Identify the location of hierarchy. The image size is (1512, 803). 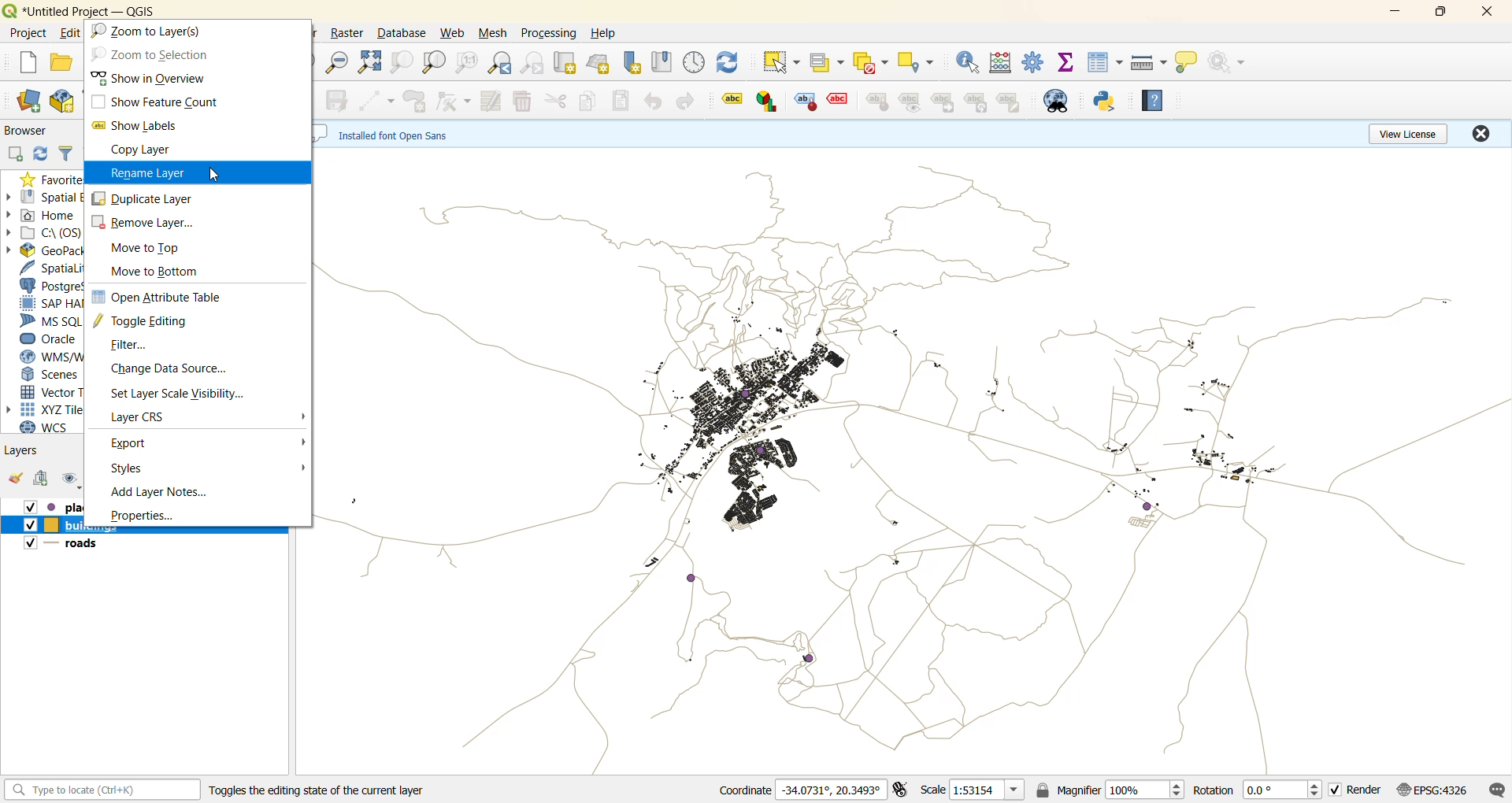
(977, 102).